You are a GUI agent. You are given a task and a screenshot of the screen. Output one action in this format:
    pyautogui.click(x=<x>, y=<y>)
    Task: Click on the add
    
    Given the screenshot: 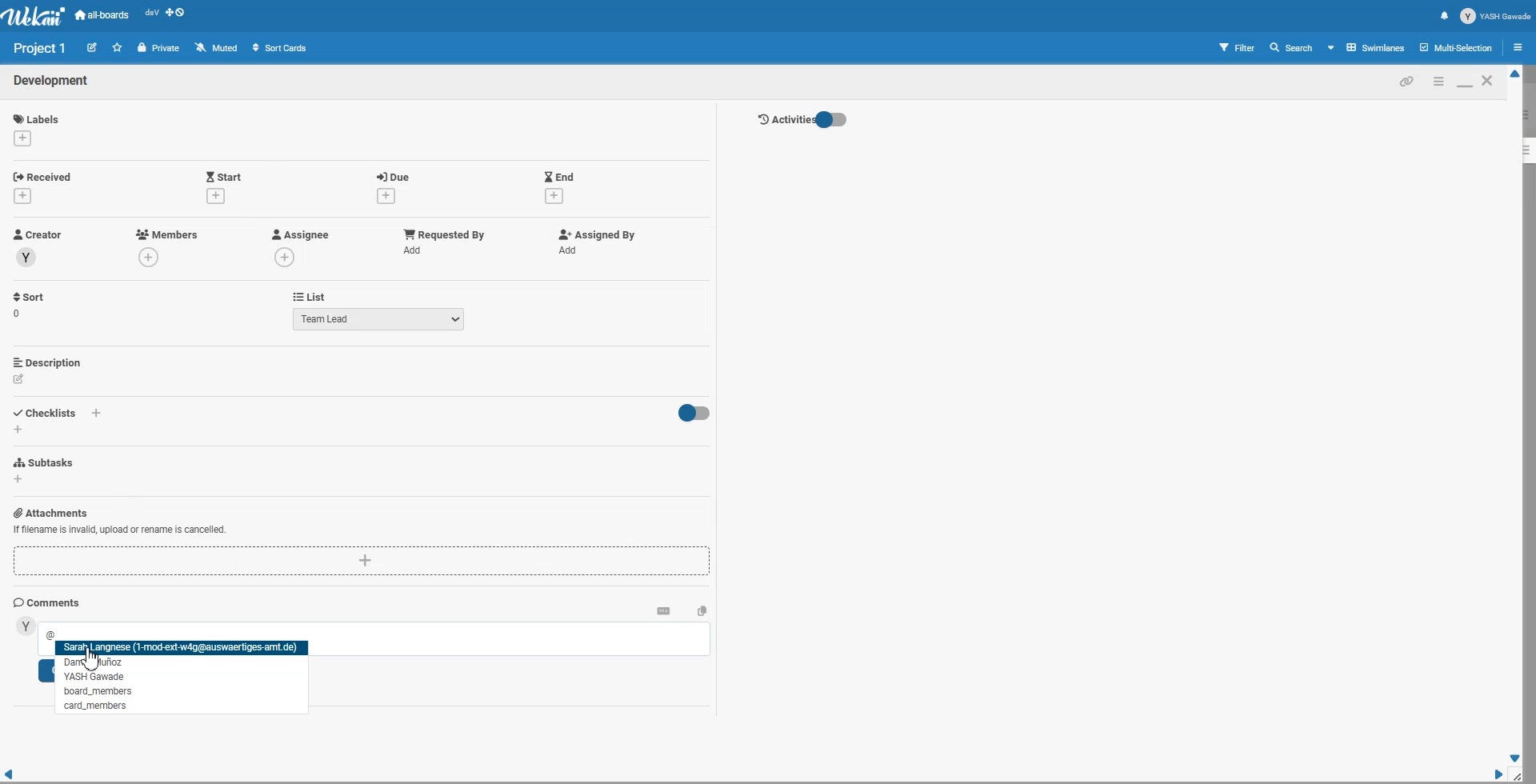 What is the action you would take?
    pyautogui.click(x=98, y=414)
    